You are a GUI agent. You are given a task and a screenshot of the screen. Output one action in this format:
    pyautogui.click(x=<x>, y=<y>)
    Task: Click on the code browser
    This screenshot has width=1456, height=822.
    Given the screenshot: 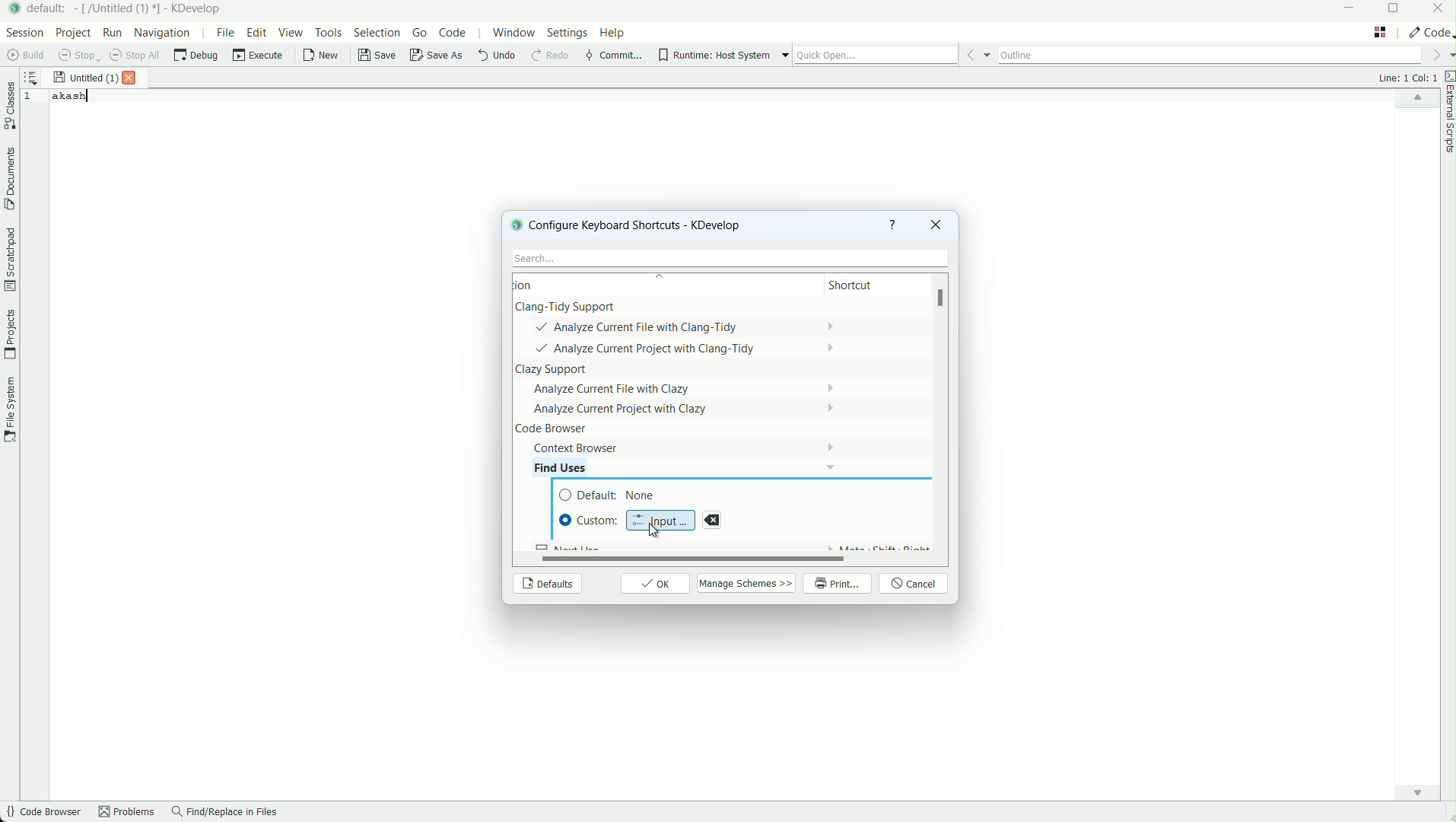 What is the action you would take?
    pyautogui.click(x=42, y=813)
    